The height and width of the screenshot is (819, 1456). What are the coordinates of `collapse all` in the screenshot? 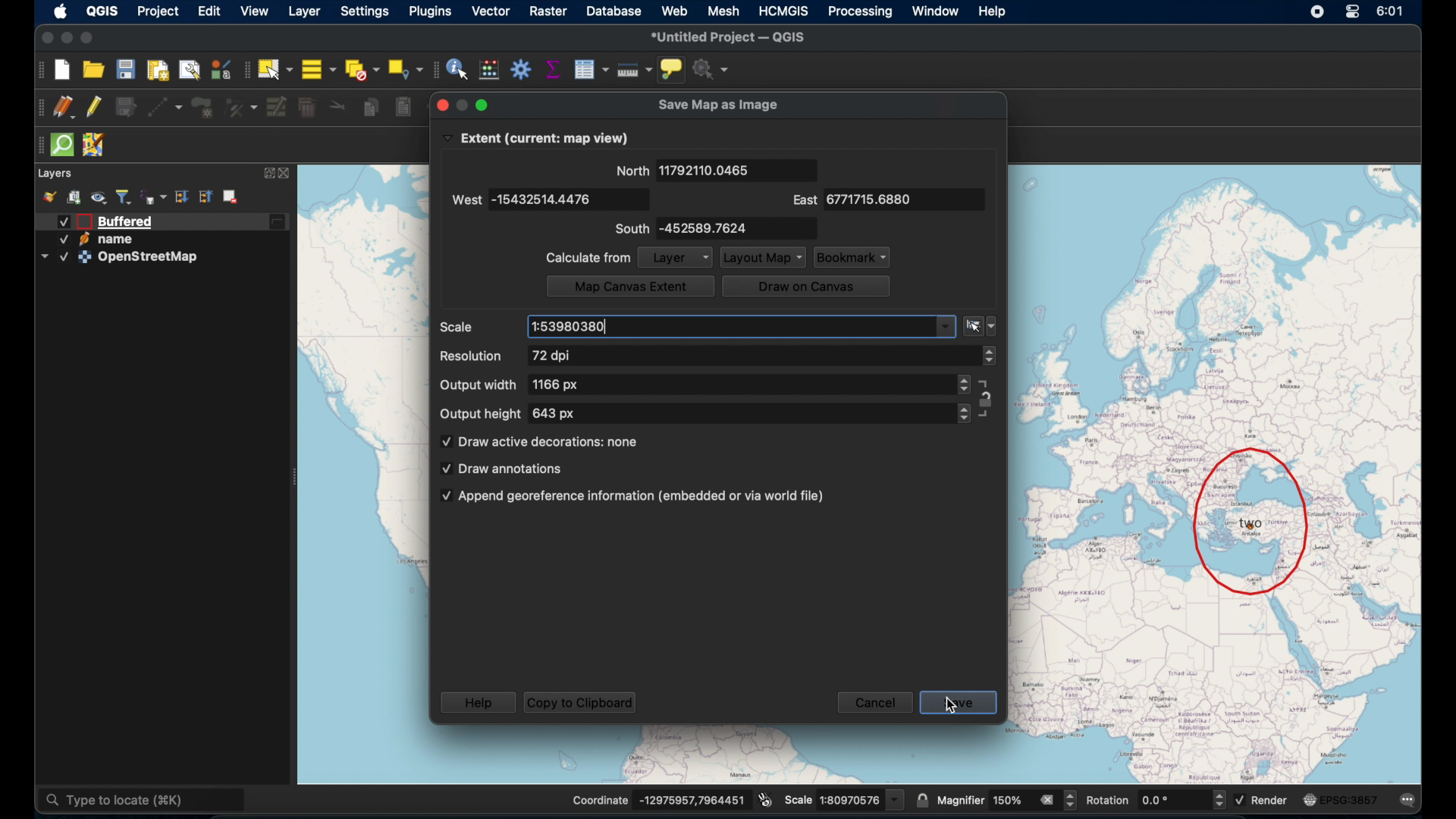 It's located at (206, 197).